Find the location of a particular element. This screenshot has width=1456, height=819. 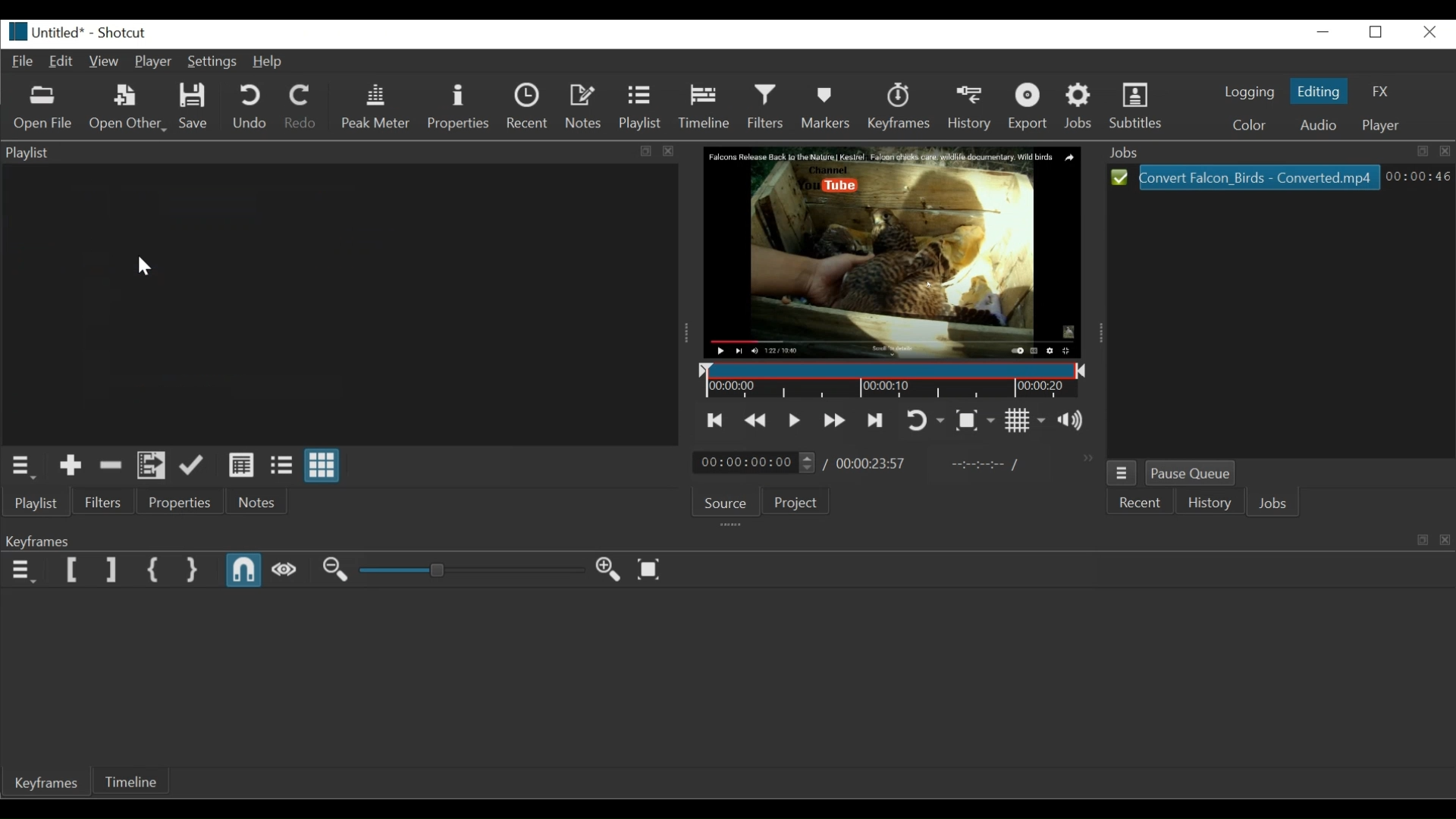

Peak meter is located at coordinates (375, 107).